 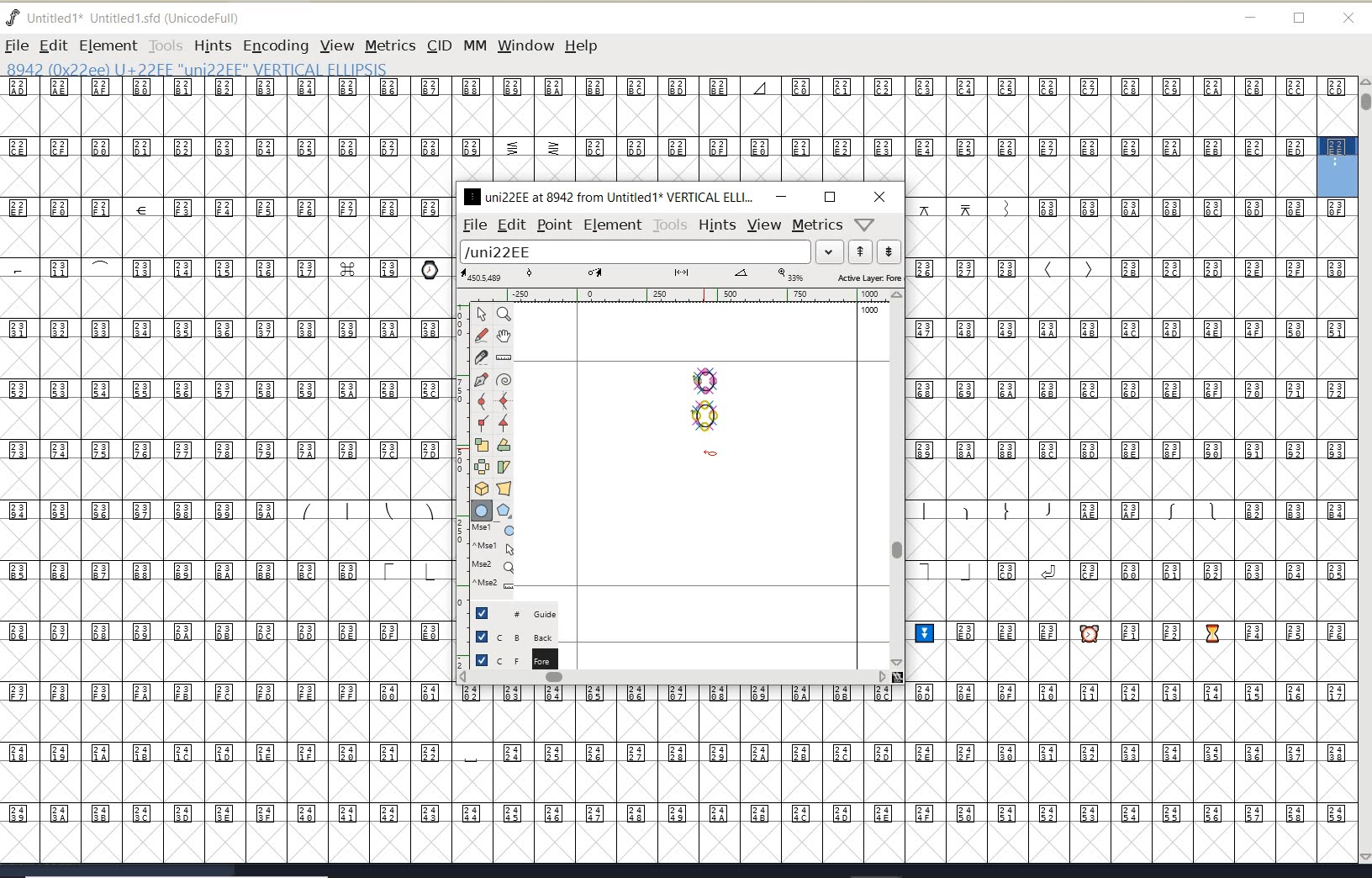 I want to click on METRICS, so click(x=390, y=45).